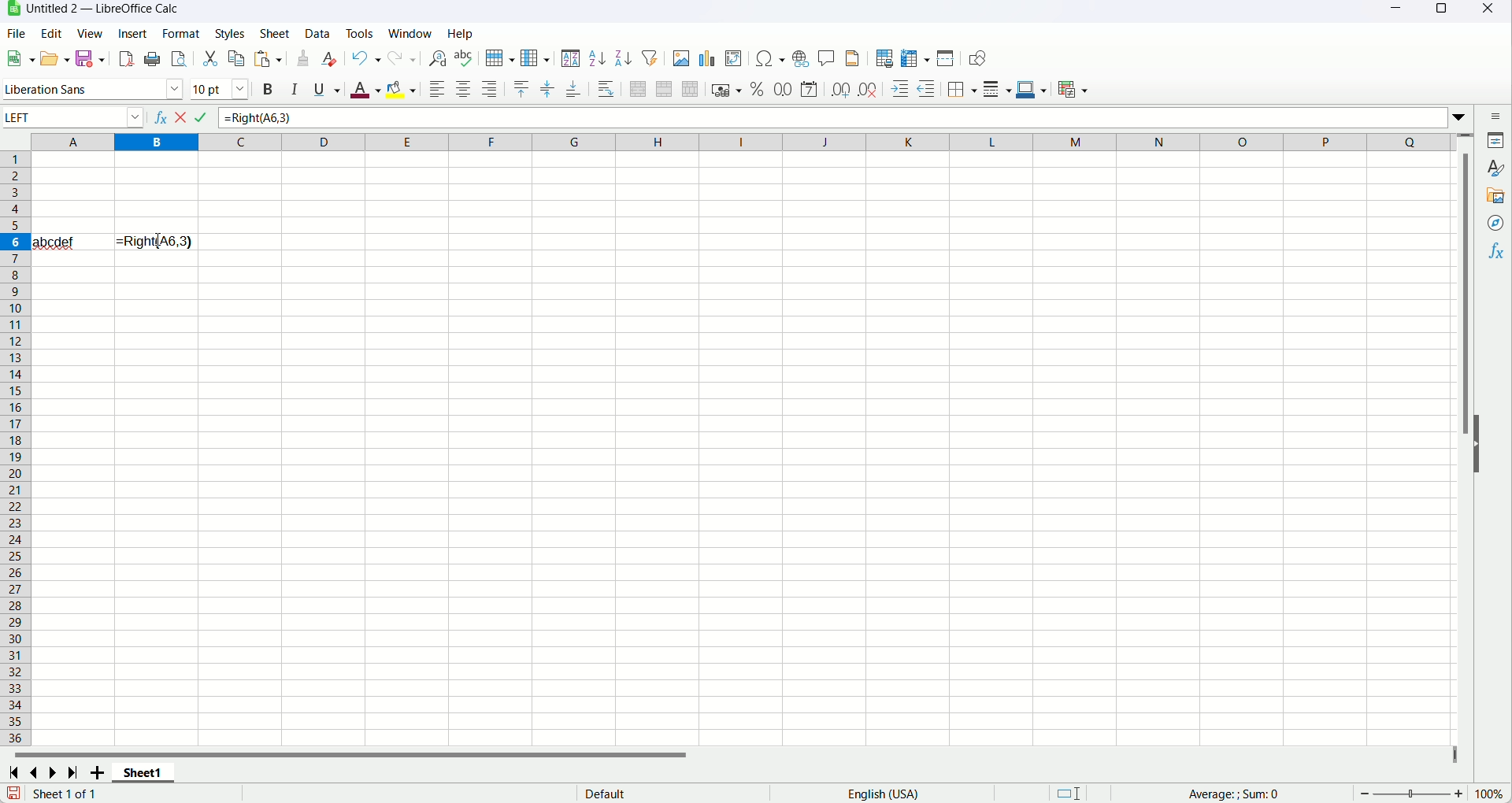 This screenshot has width=1512, height=803. I want to click on scroll to next sheet, so click(56, 772).